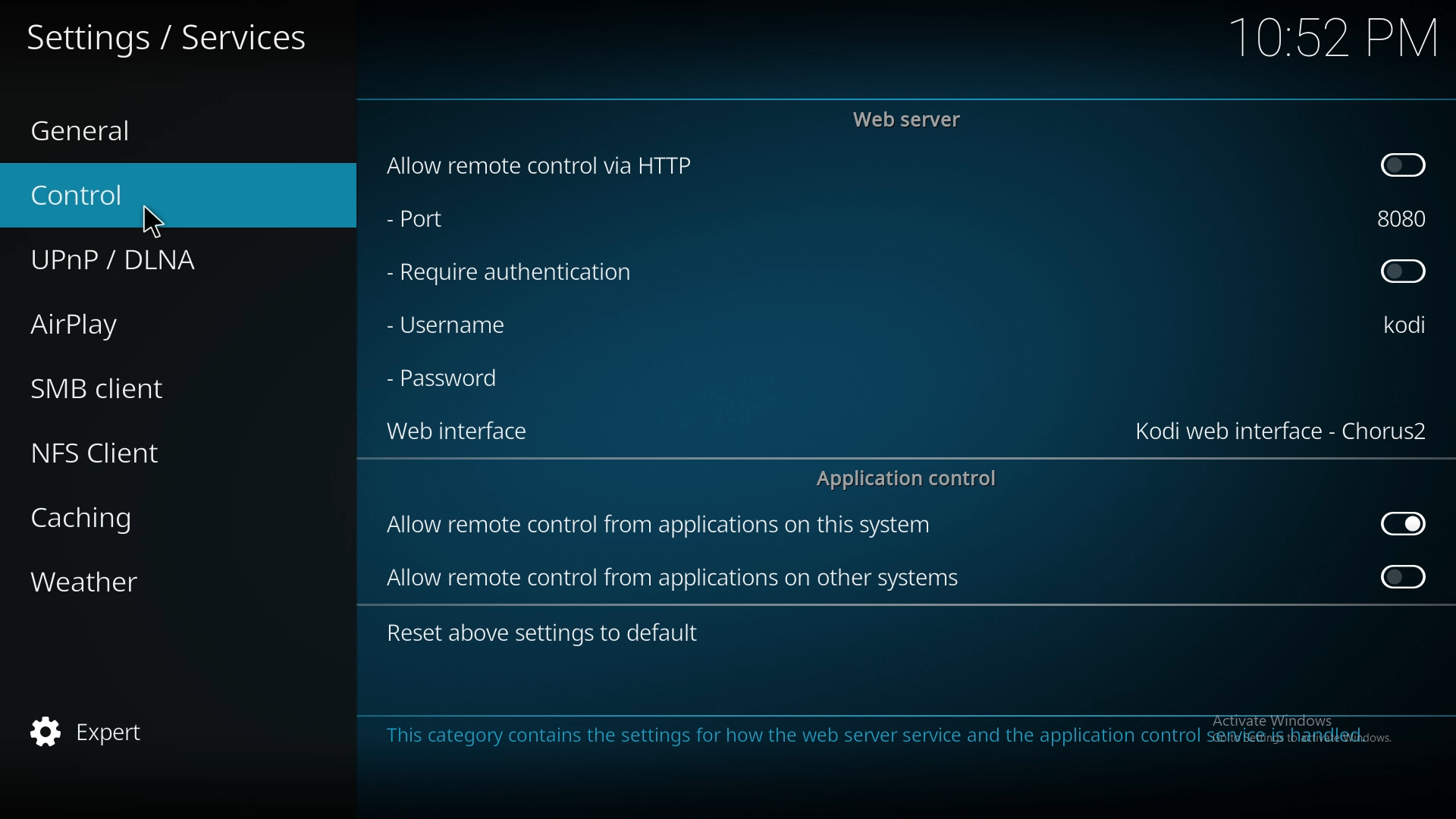 This screenshot has width=1456, height=819. Describe the element at coordinates (1401, 165) in the screenshot. I see `toggle` at that location.